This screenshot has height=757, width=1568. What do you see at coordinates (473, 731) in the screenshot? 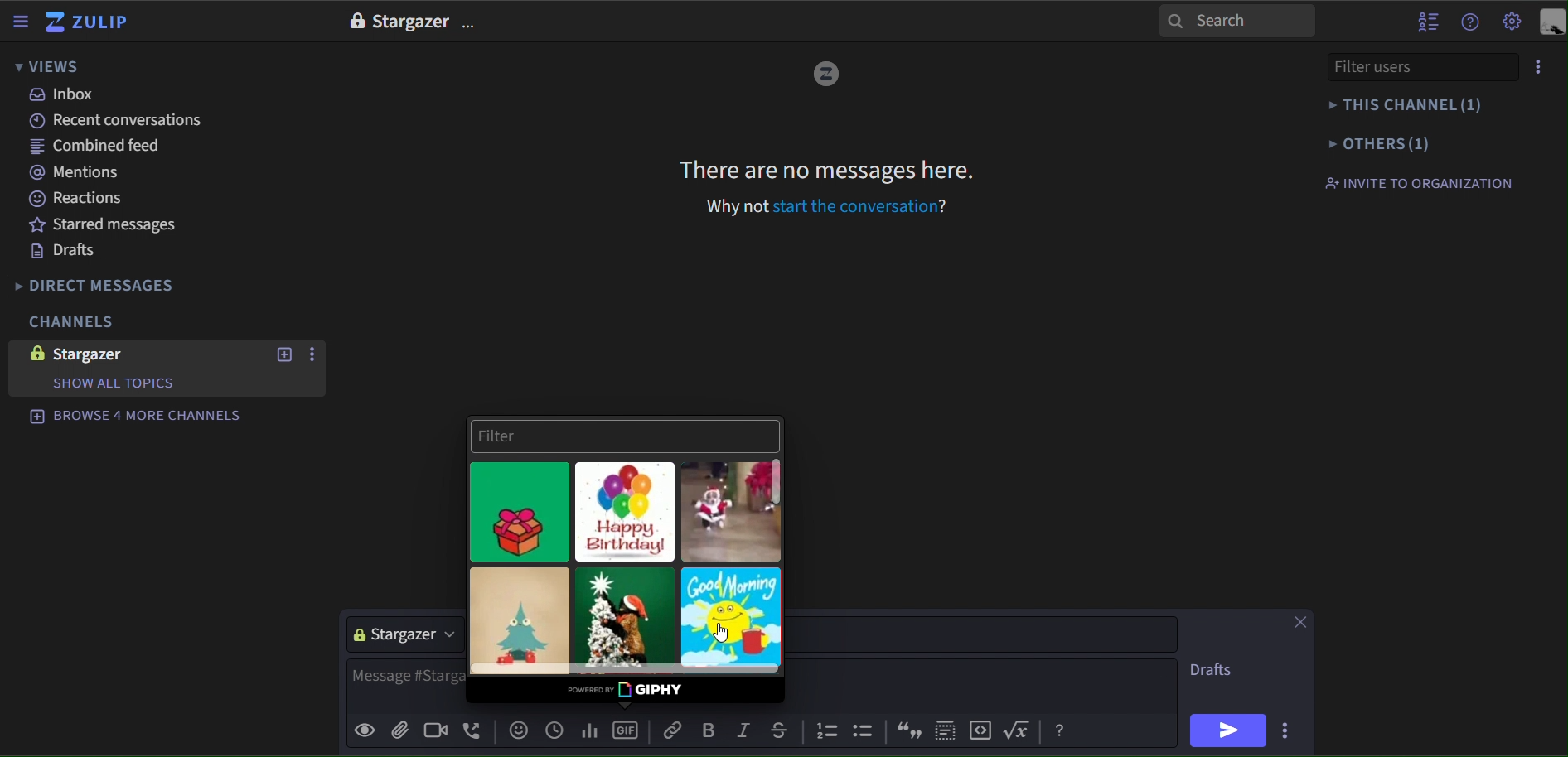
I see `add voice call` at bounding box center [473, 731].